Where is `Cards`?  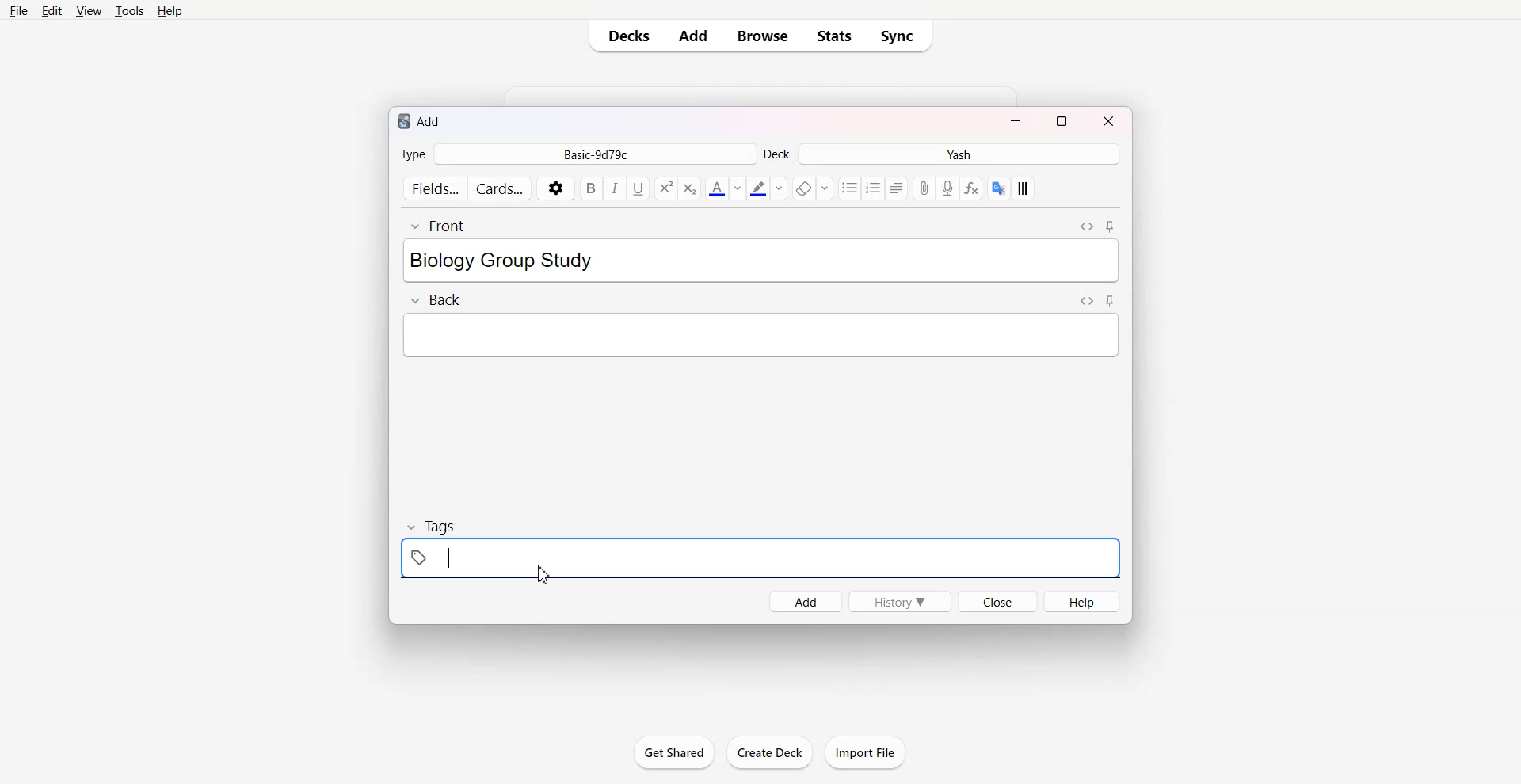
Cards is located at coordinates (501, 187).